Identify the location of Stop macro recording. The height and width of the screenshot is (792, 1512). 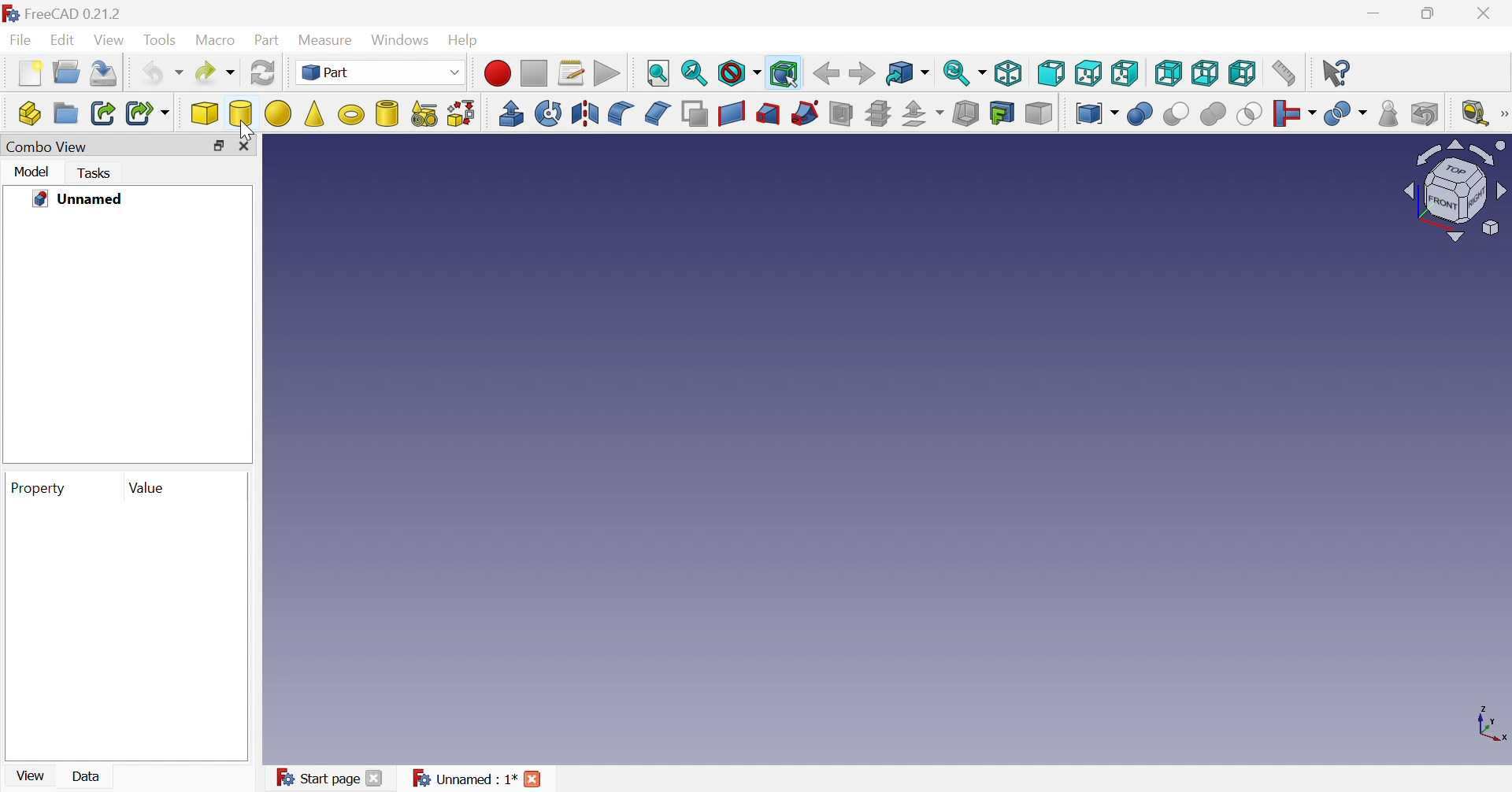
(535, 73).